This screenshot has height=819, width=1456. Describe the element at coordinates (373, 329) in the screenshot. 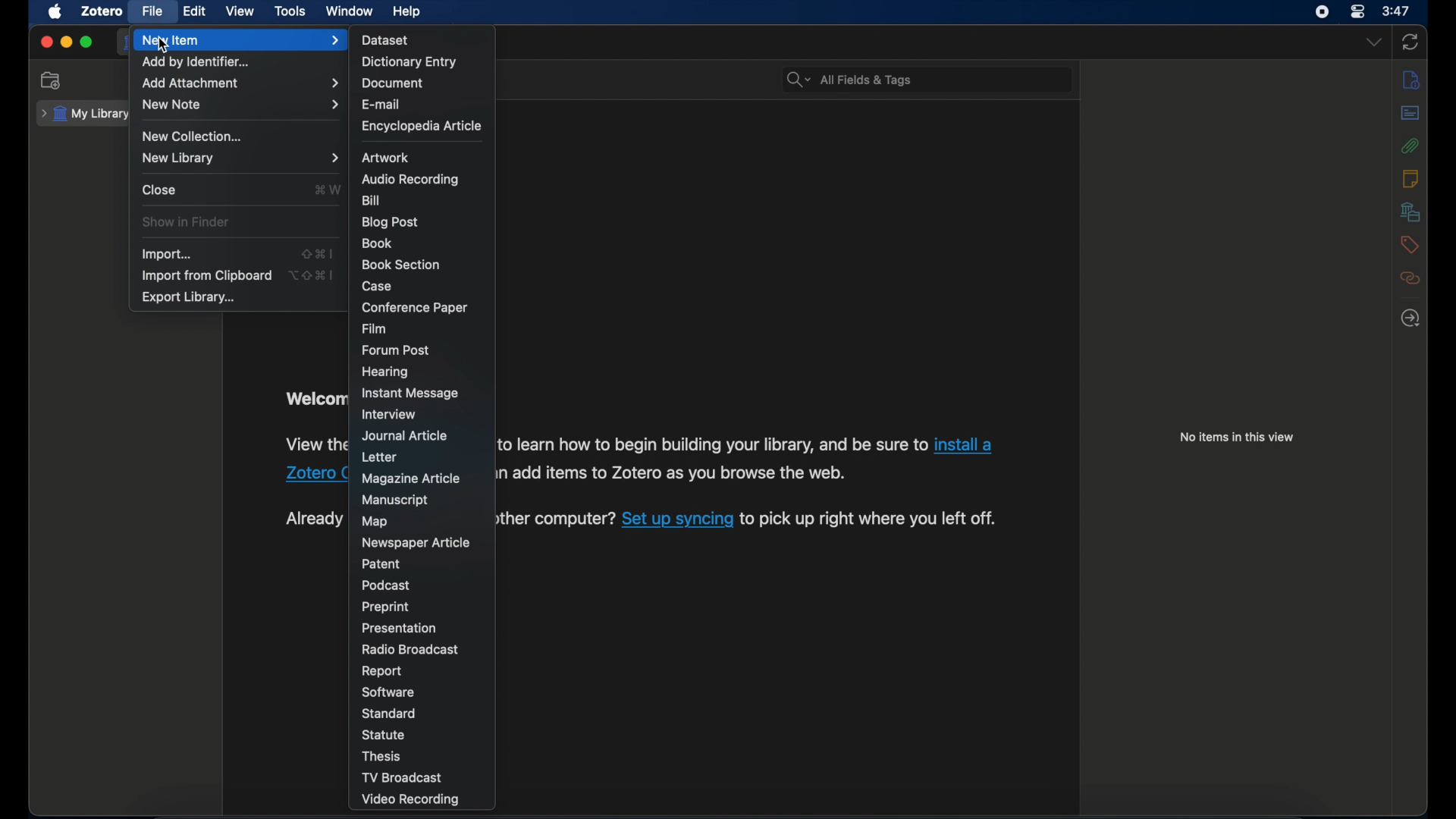

I see `film` at that location.